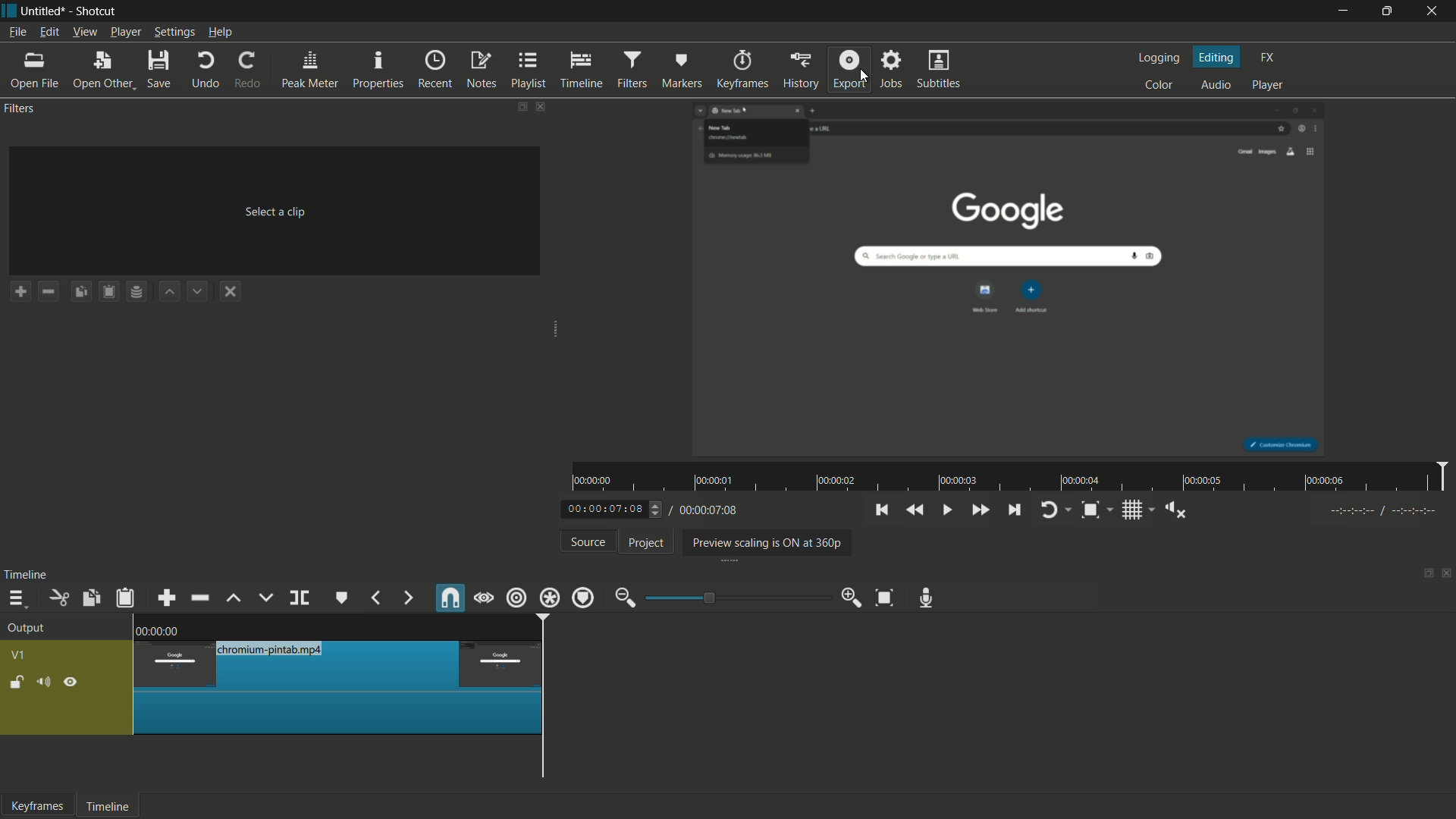 This screenshot has width=1456, height=819. Describe the element at coordinates (30, 629) in the screenshot. I see `output` at that location.